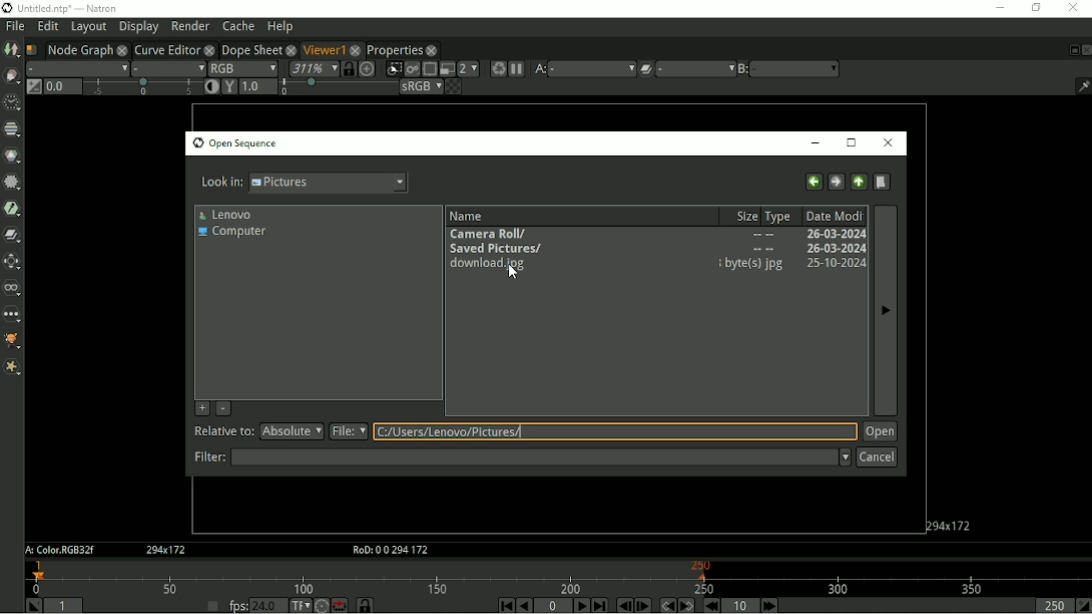 The height and width of the screenshot is (614, 1092). I want to click on Aspect, so click(167, 550).